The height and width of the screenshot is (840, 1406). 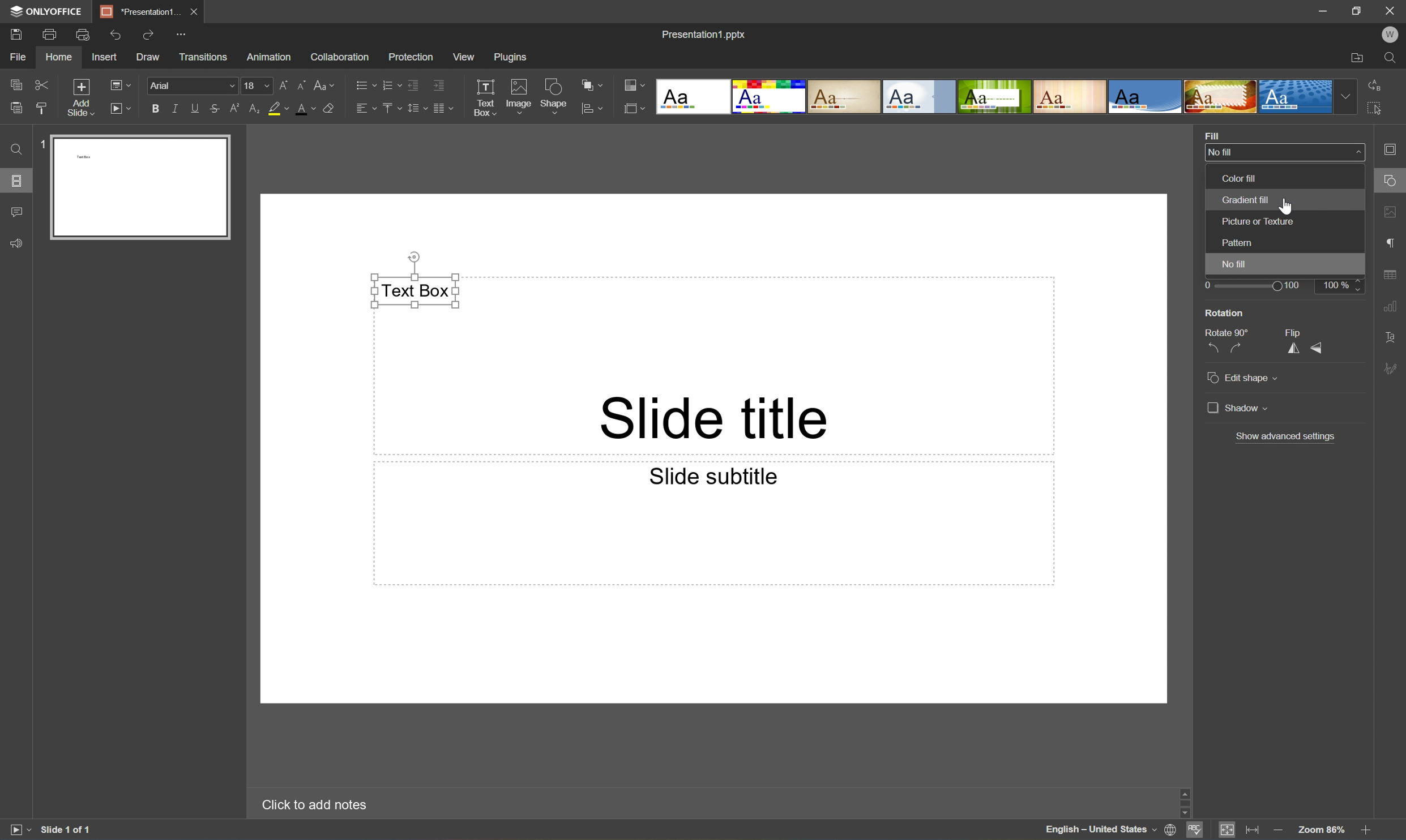 What do you see at coordinates (1239, 349) in the screenshot?
I see `Rotate 90° clockwise` at bounding box center [1239, 349].